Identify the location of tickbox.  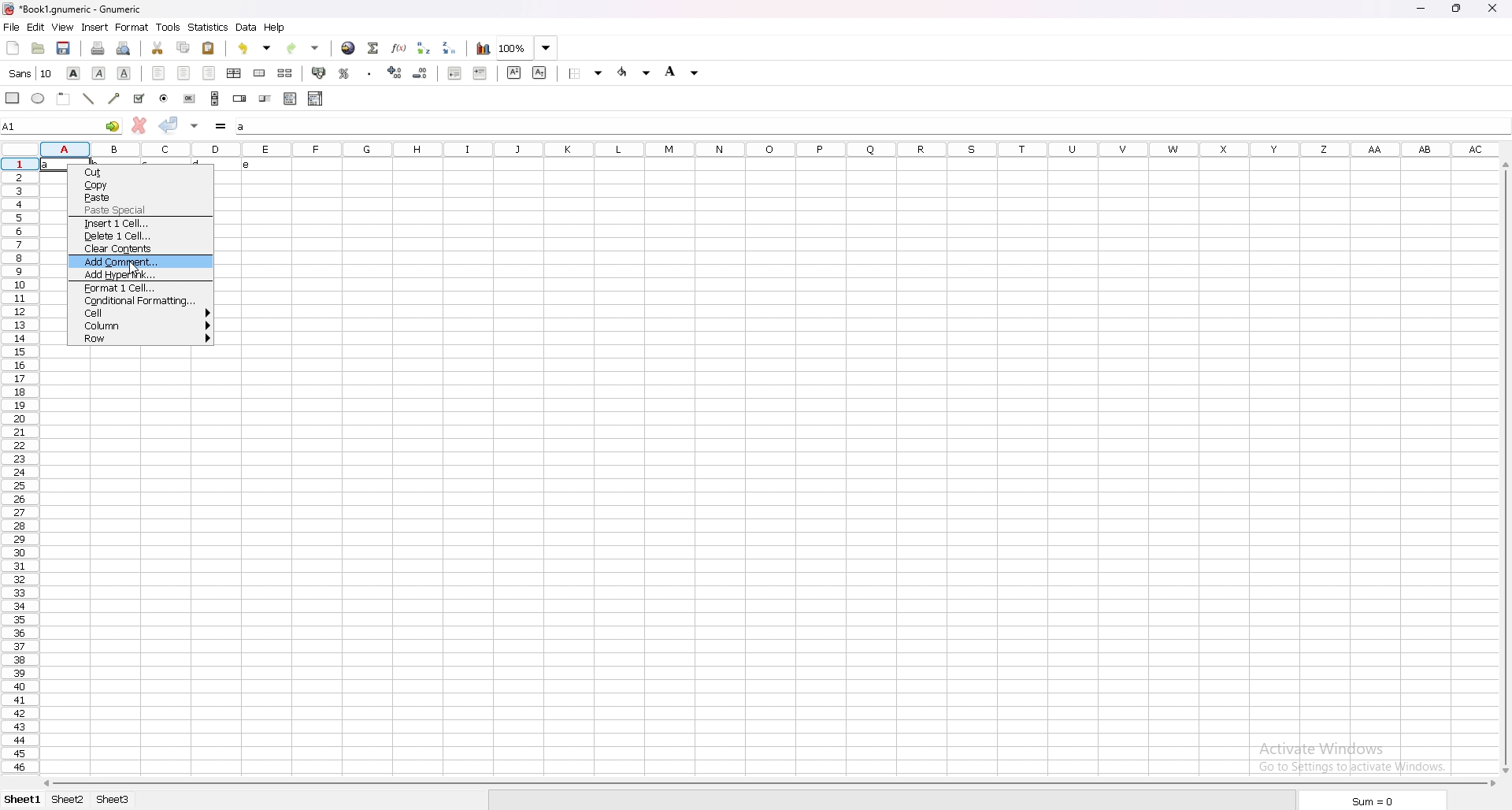
(139, 98).